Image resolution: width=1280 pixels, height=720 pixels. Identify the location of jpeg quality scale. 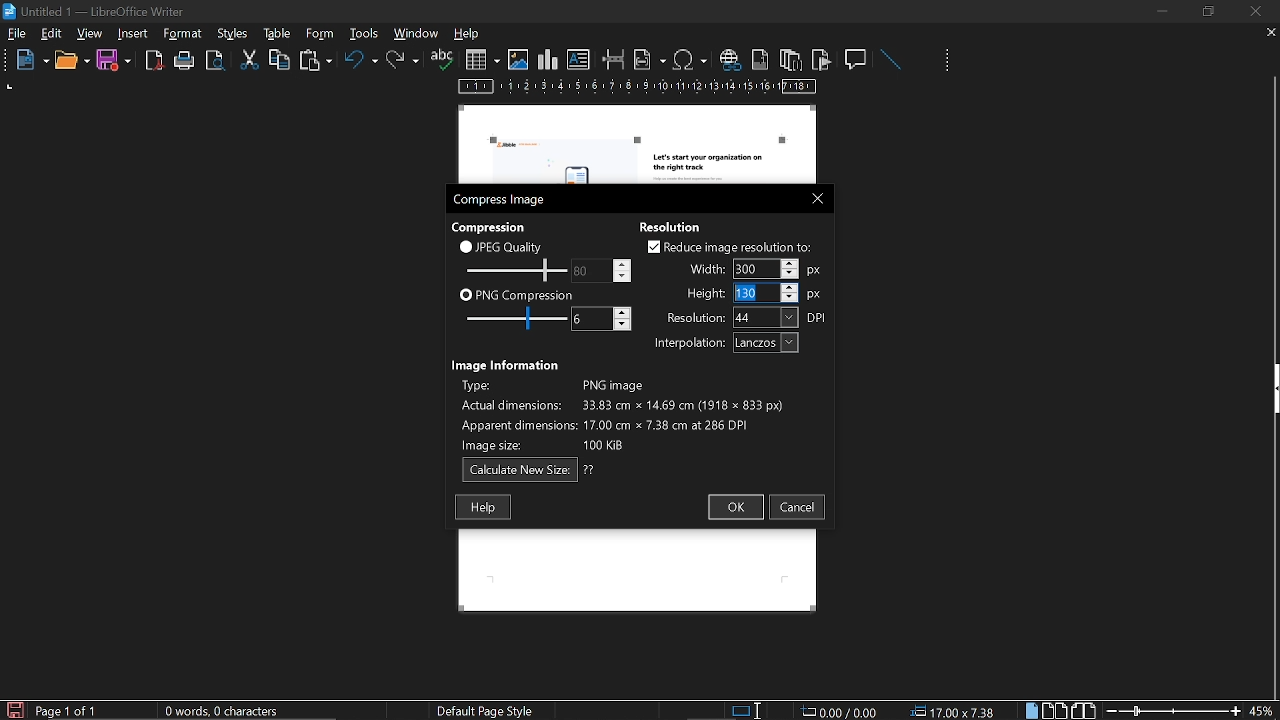
(513, 269).